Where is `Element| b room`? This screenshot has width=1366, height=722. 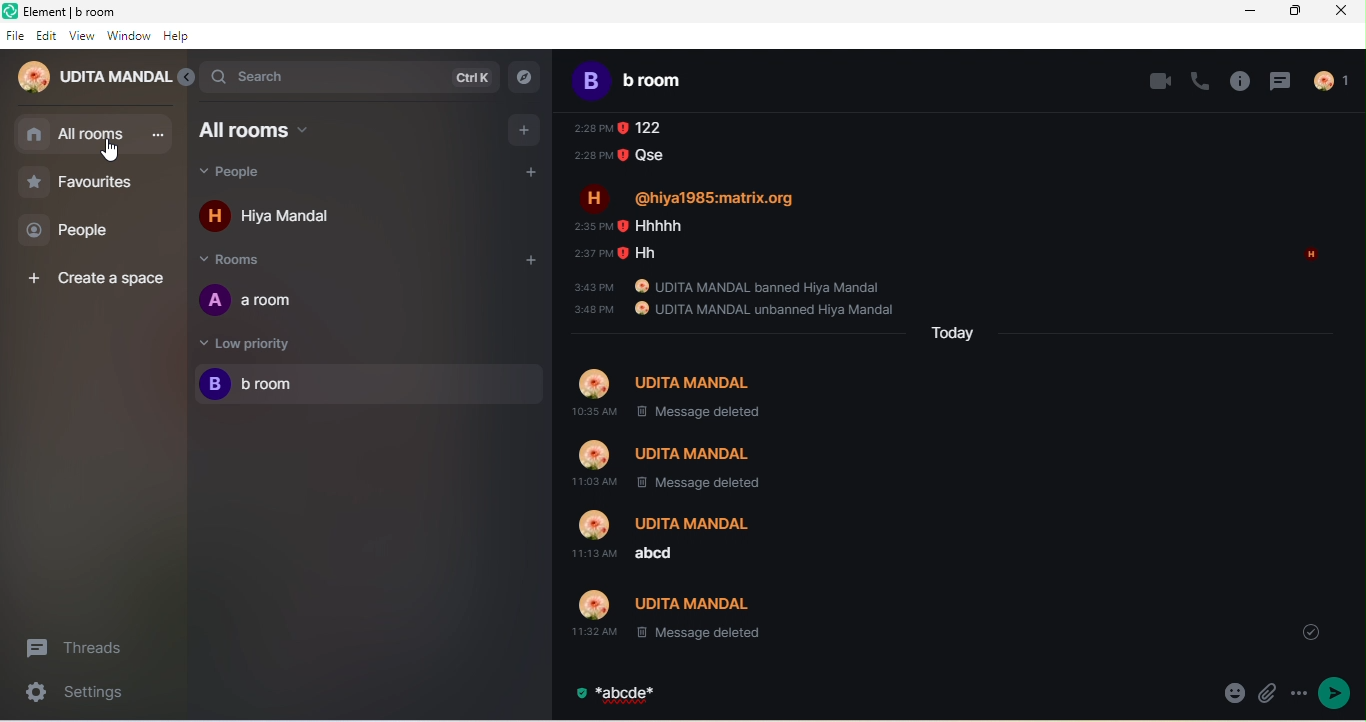
Element| b room is located at coordinates (93, 11).